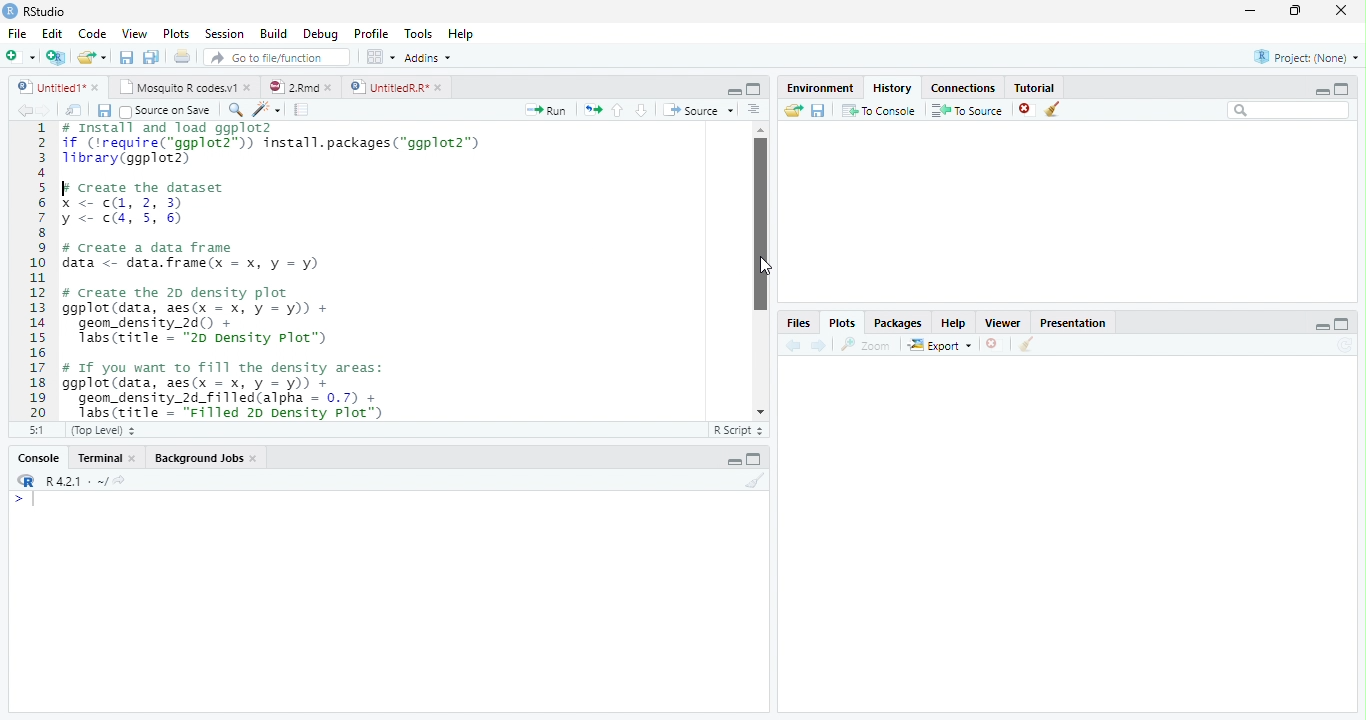 This screenshot has width=1366, height=720. Describe the element at coordinates (1319, 91) in the screenshot. I see `minimize` at that location.